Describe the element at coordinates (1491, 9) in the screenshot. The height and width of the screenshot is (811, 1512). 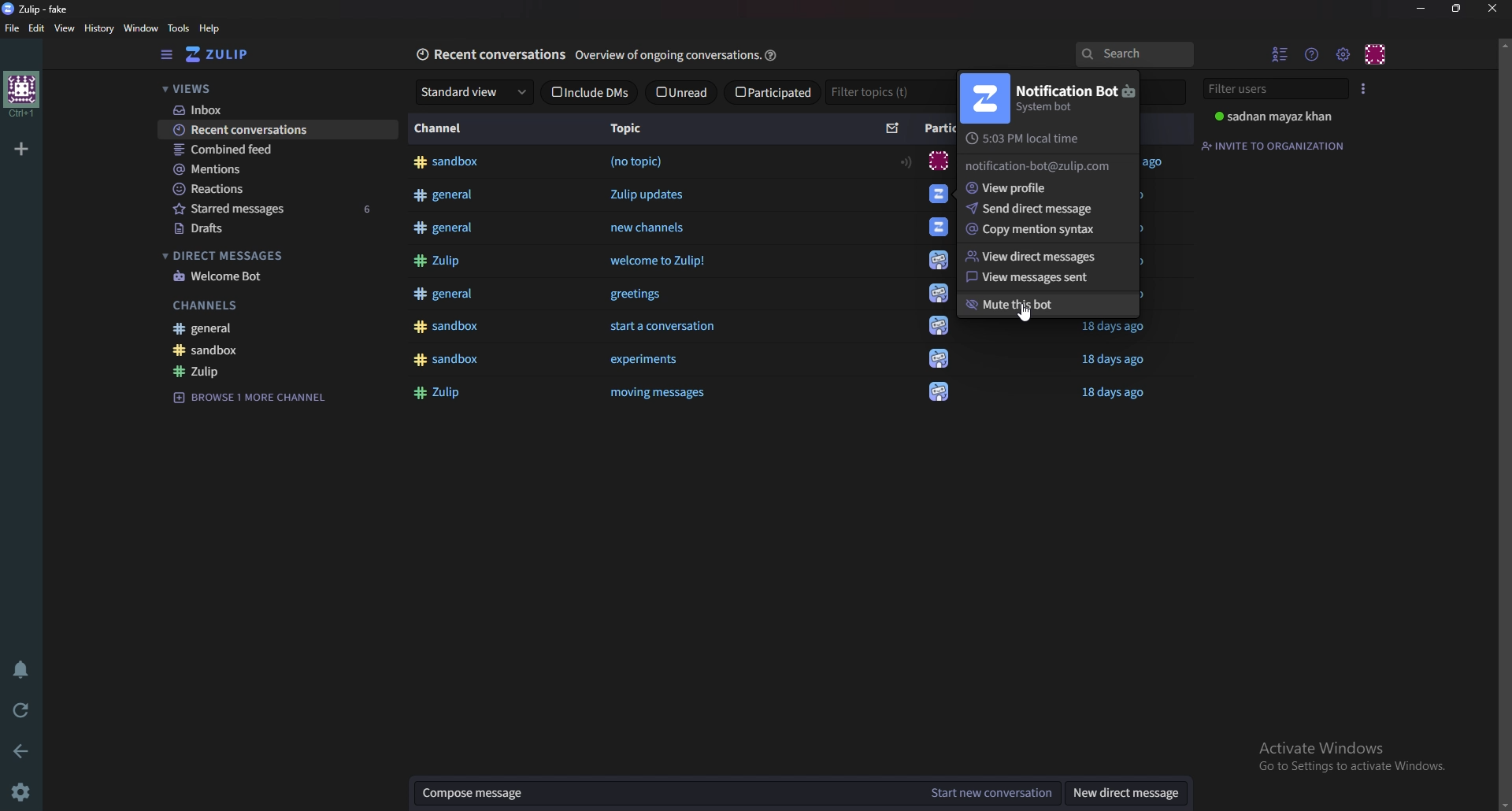
I see `close` at that location.